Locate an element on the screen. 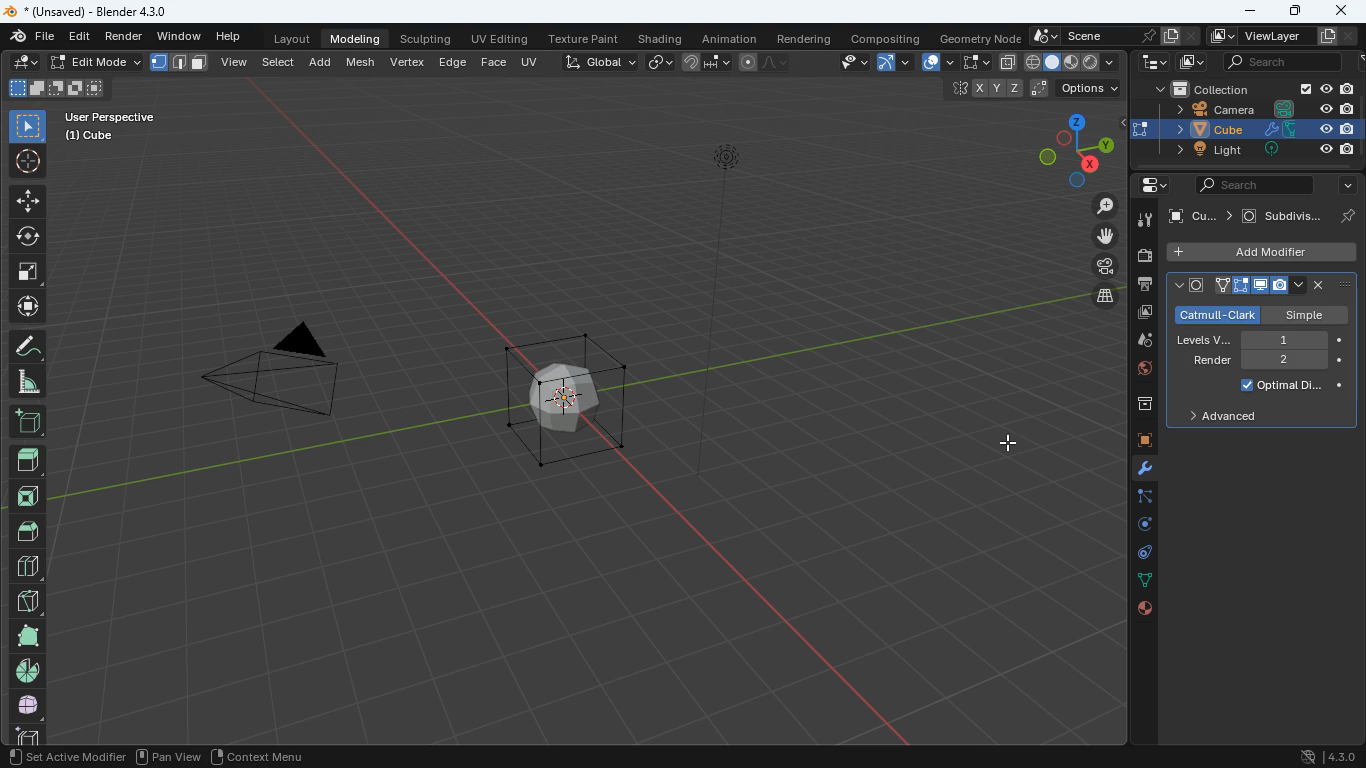 The width and height of the screenshot is (1366, 768). render is located at coordinates (124, 37).